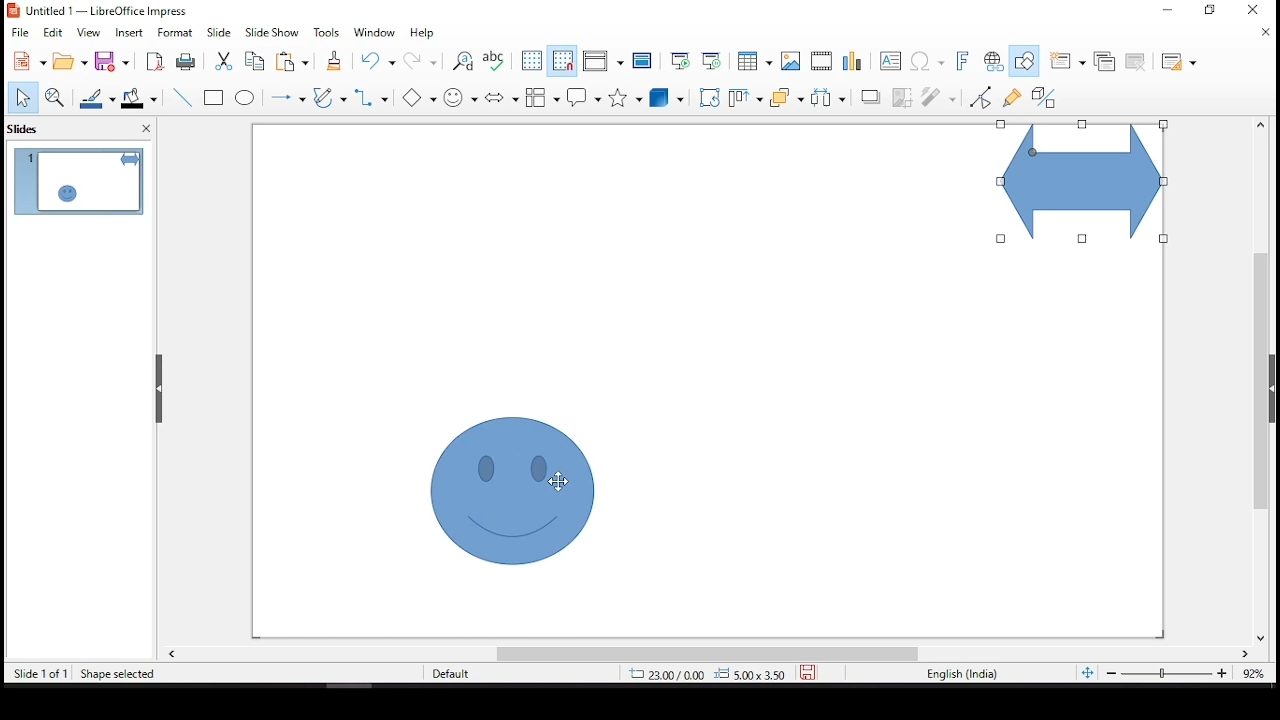  What do you see at coordinates (824, 96) in the screenshot?
I see `distribute` at bounding box center [824, 96].